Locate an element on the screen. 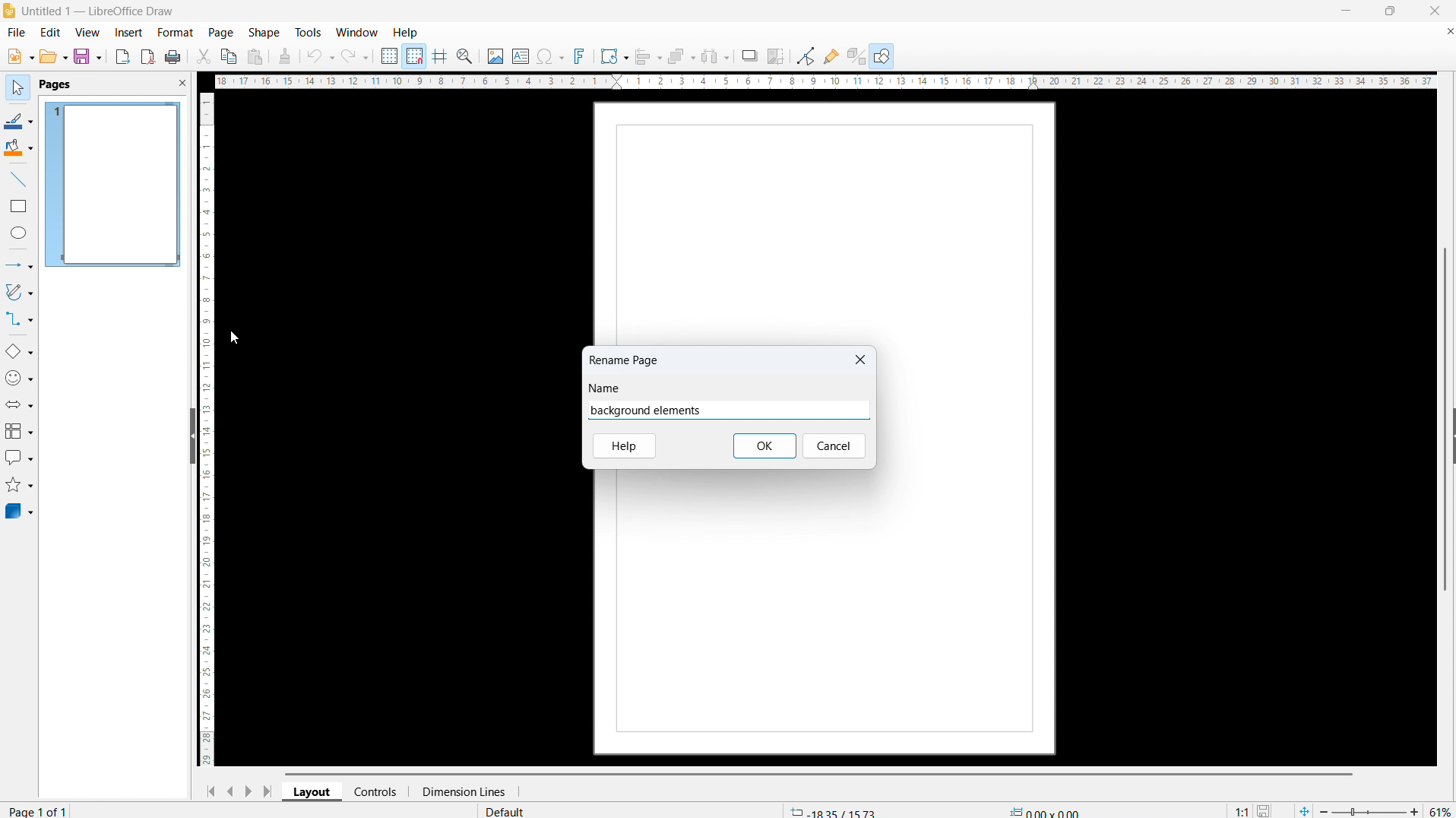 This screenshot has height=818, width=1456. Sidebar is located at coordinates (1447, 436).